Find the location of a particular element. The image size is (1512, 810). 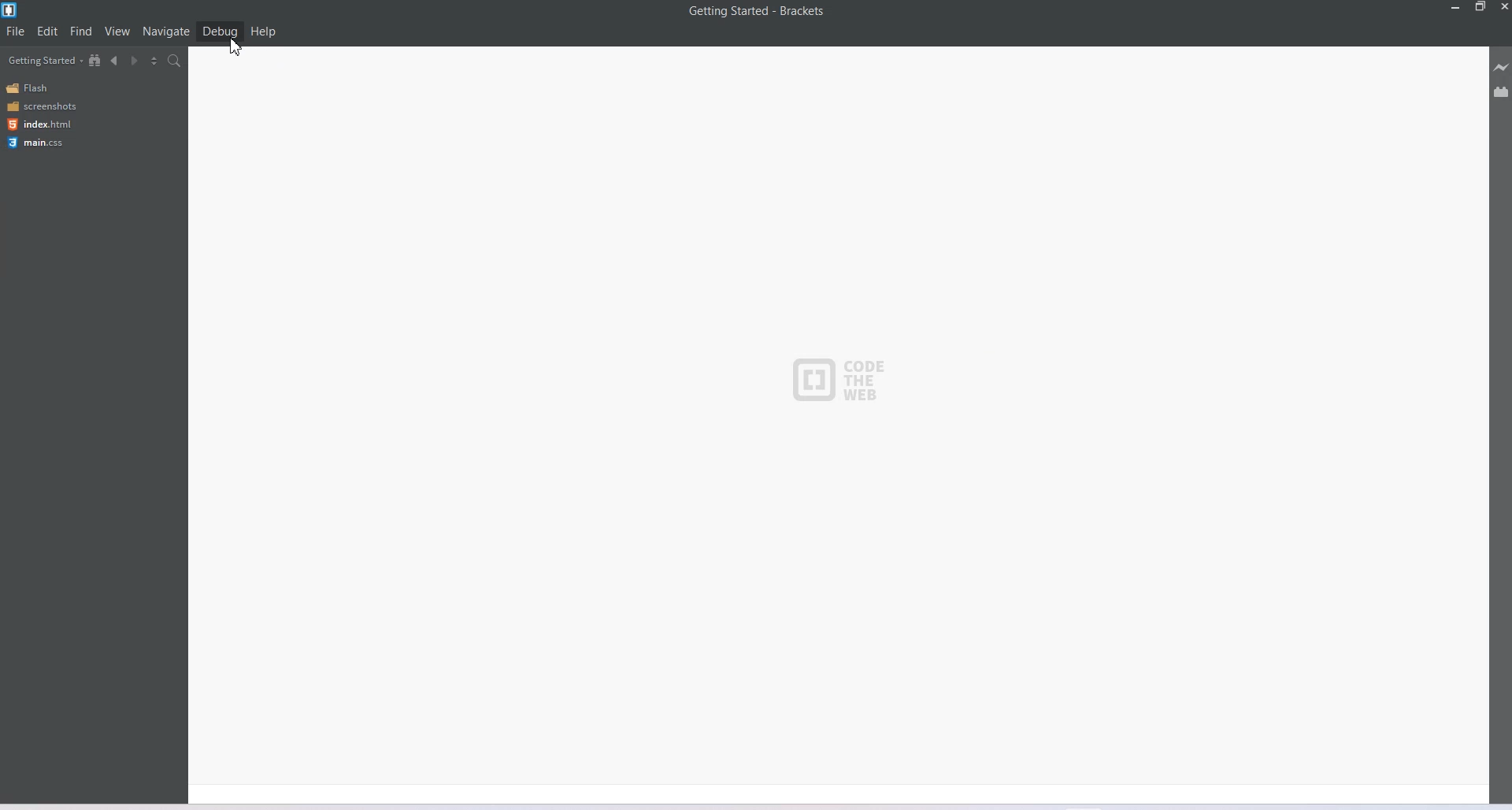

Navigate Forwards is located at coordinates (135, 61).